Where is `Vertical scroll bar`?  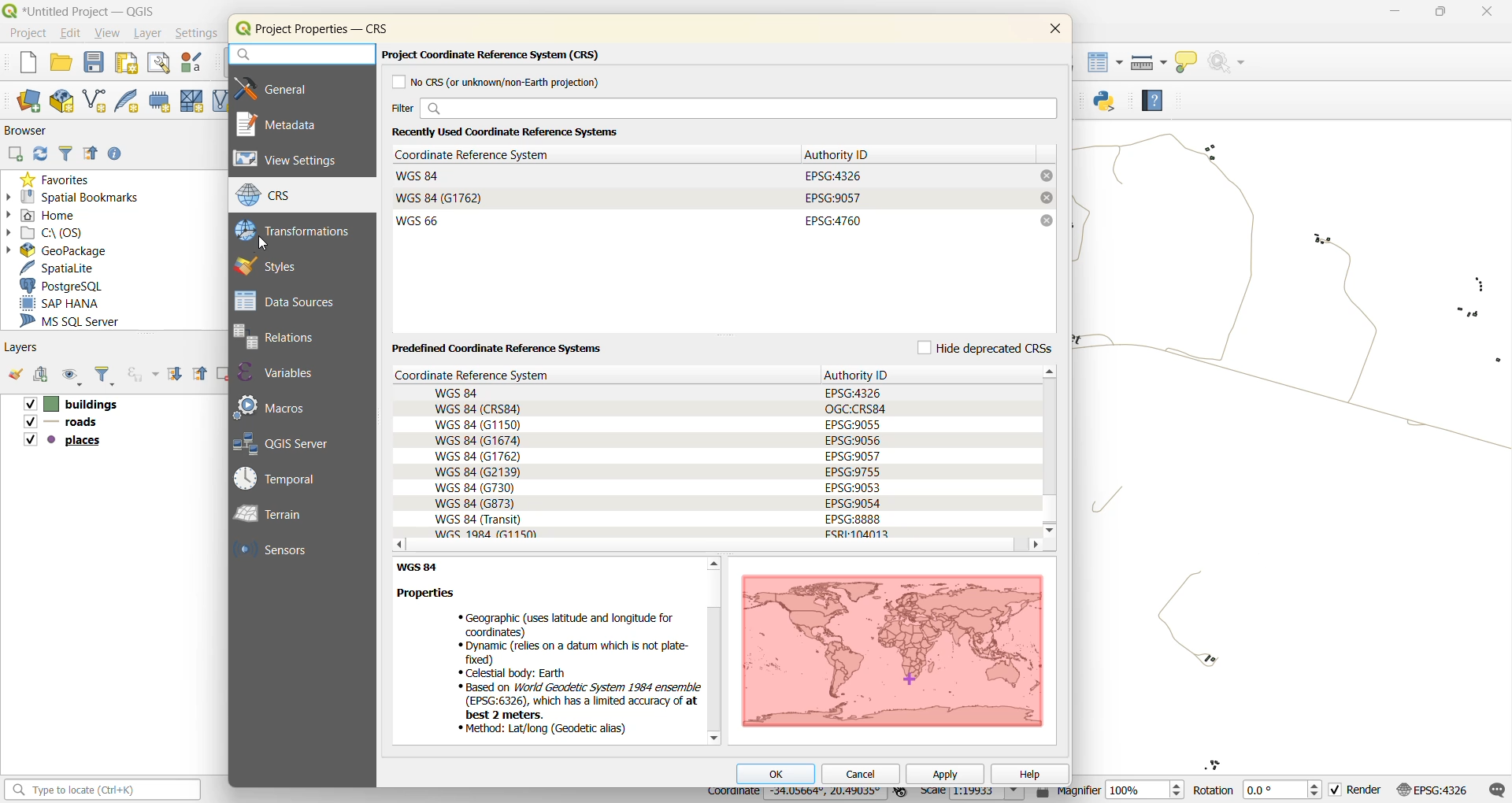
Vertical scroll bar is located at coordinates (1051, 451).